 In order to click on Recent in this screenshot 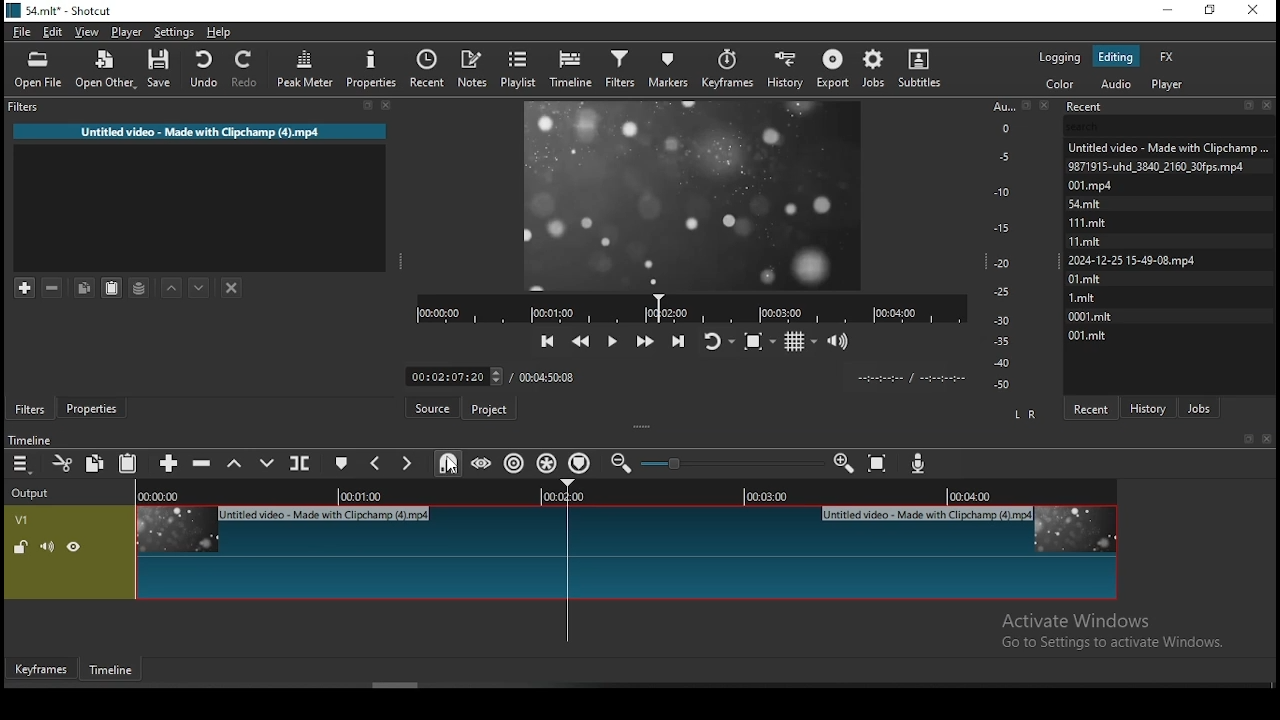, I will do `click(1168, 107)`.